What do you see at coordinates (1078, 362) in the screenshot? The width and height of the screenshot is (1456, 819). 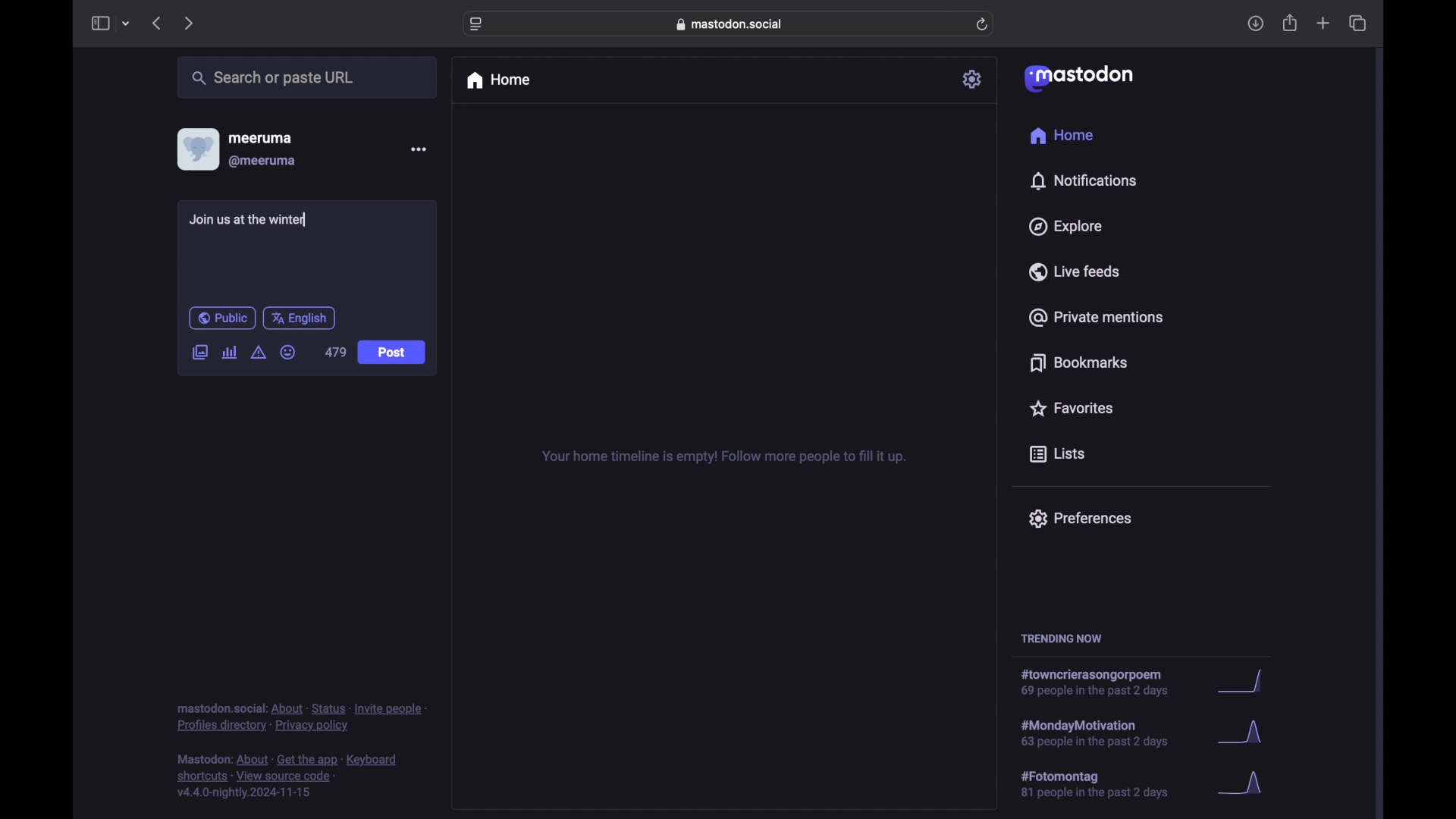 I see `bookmarks` at bounding box center [1078, 362].